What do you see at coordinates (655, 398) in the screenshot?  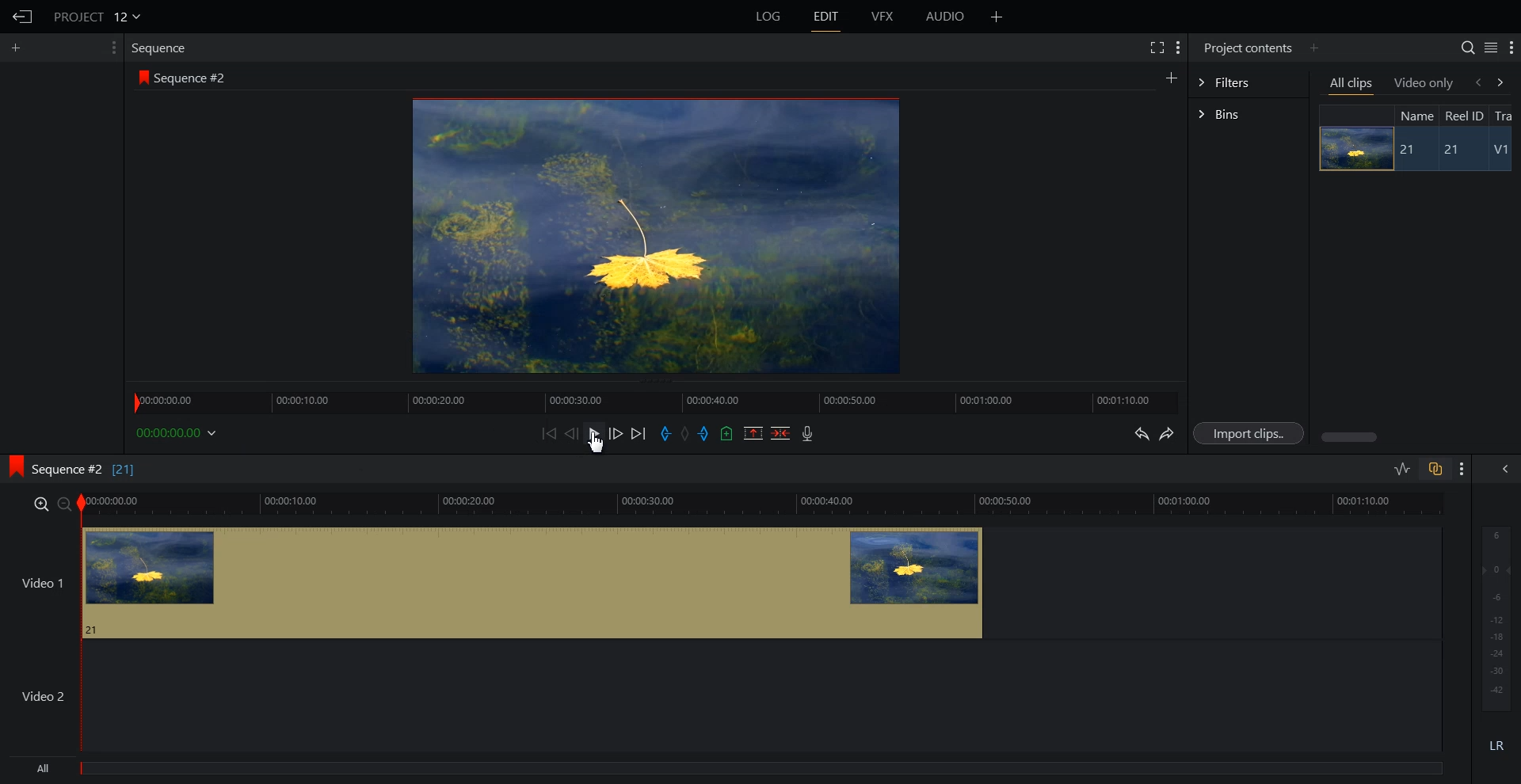 I see `Timeline` at bounding box center [655, 398].